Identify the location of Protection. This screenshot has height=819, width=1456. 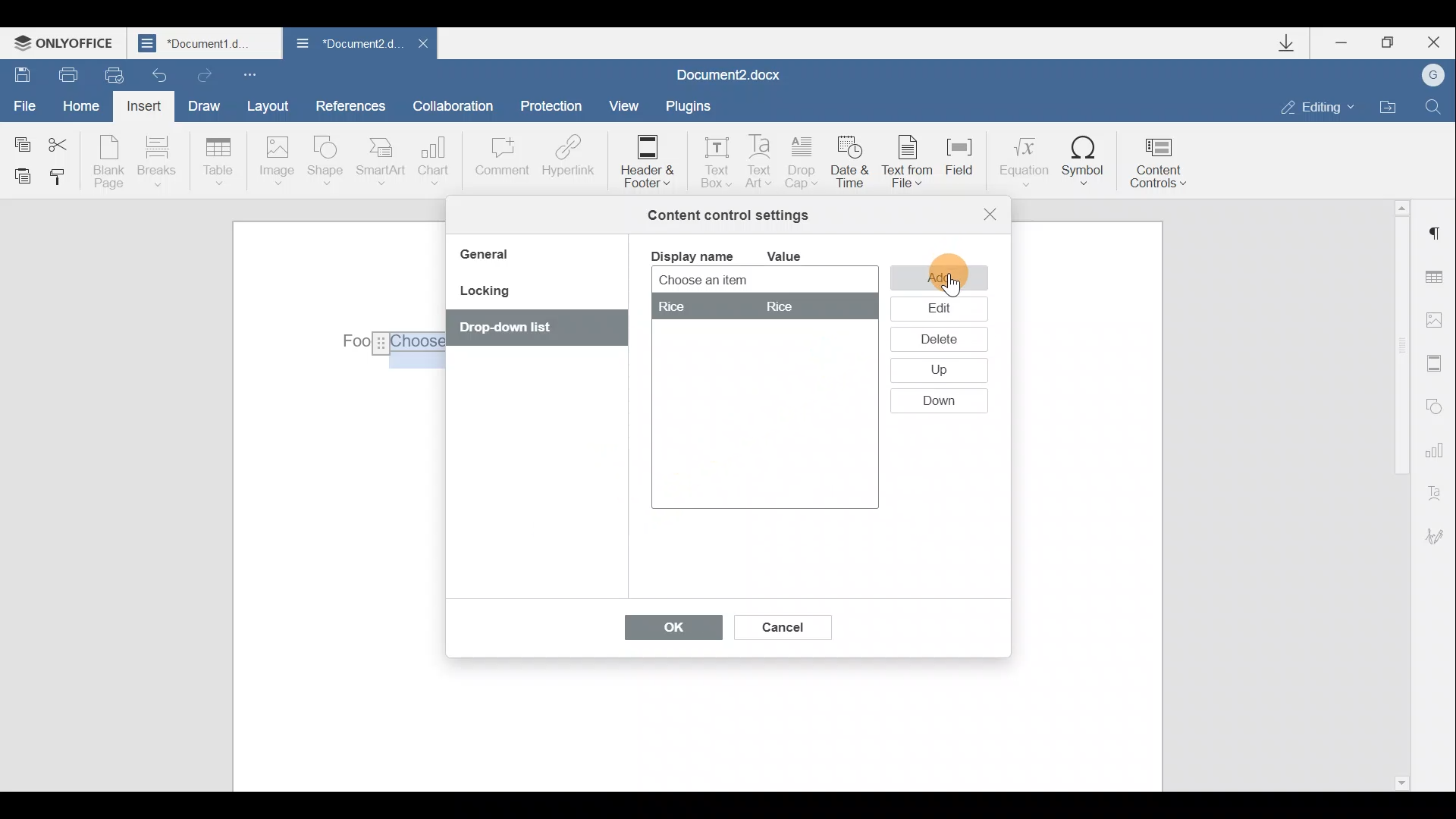
(555, 108).